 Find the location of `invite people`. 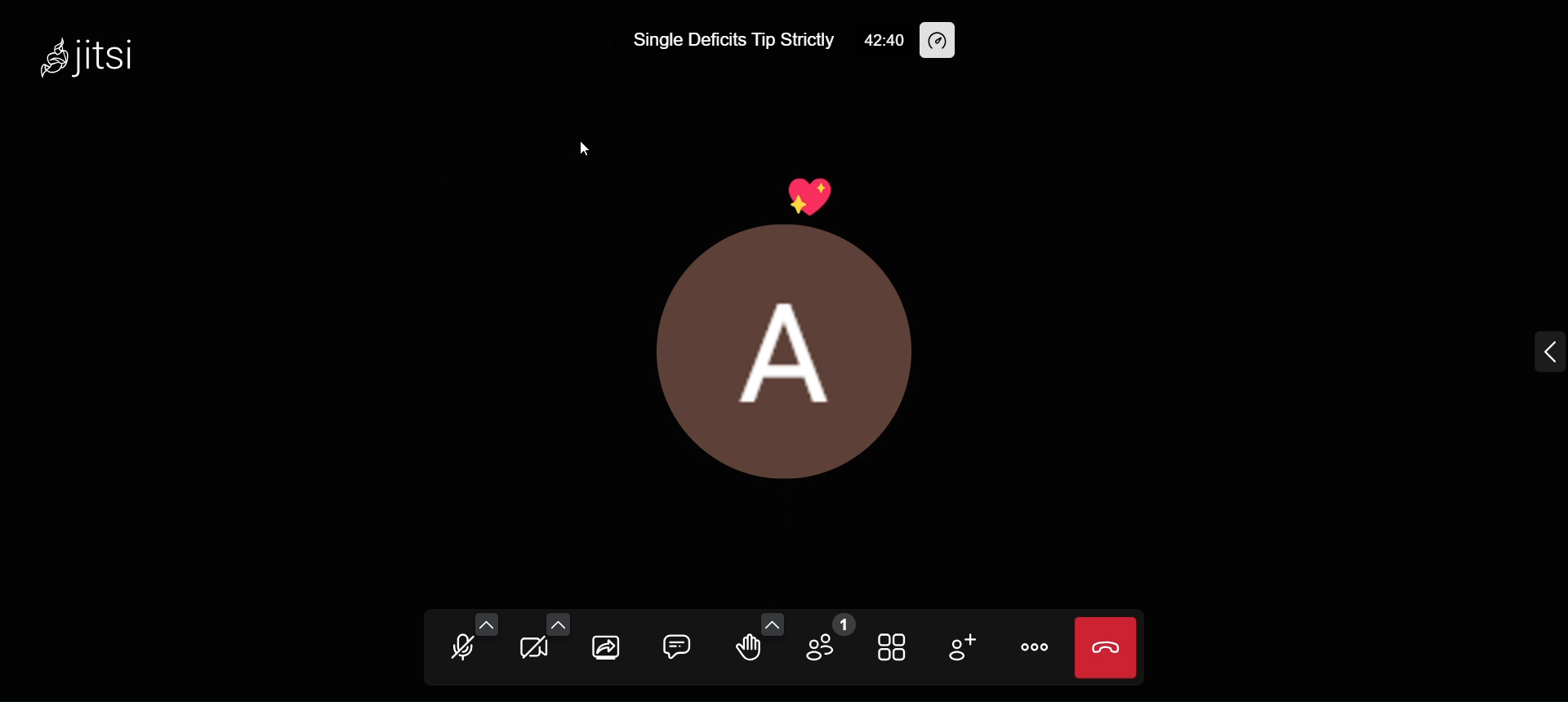

invite people is located at coordinates (964, 648).